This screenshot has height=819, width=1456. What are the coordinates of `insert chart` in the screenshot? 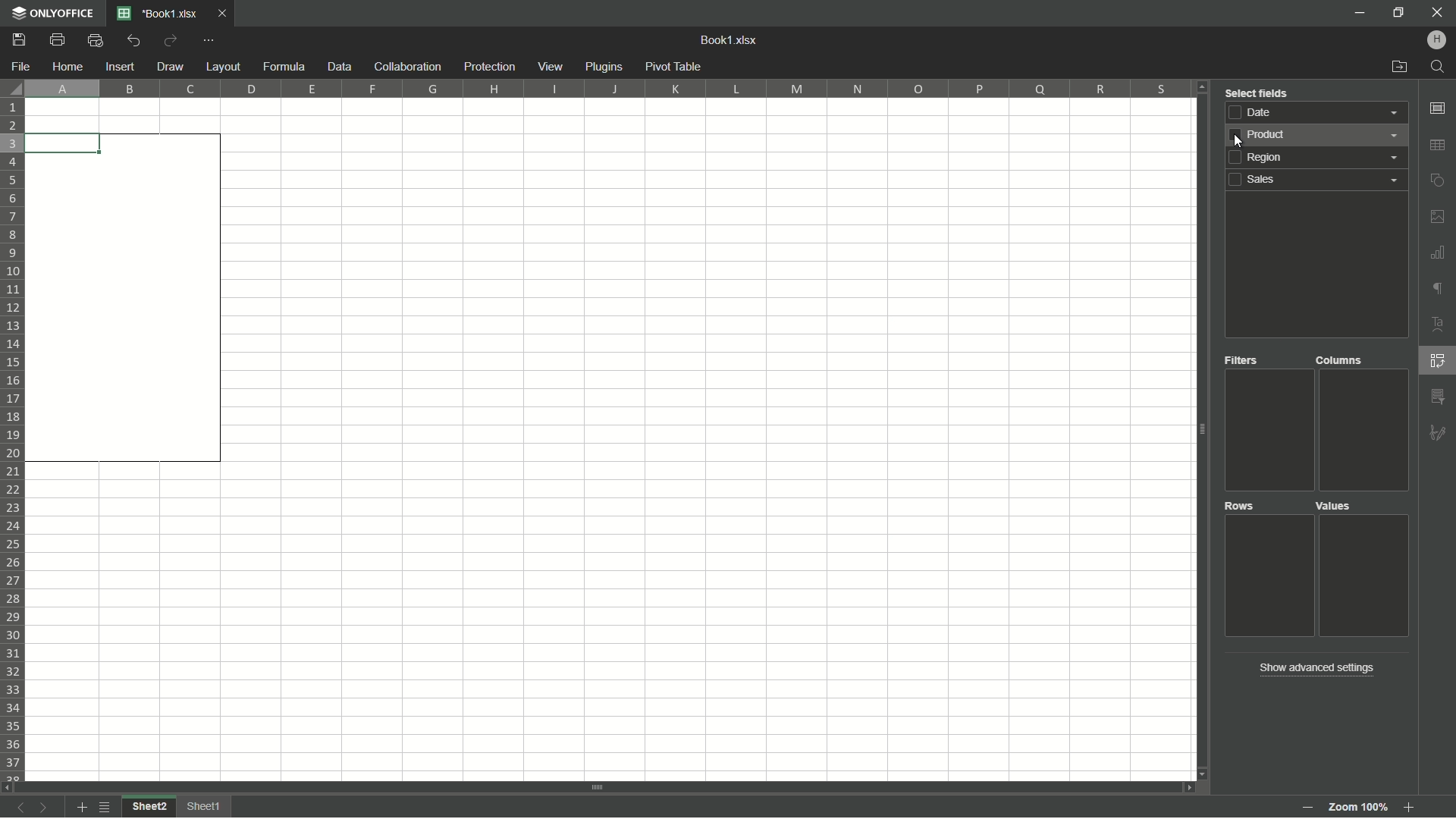 It's located at (1438, 252).